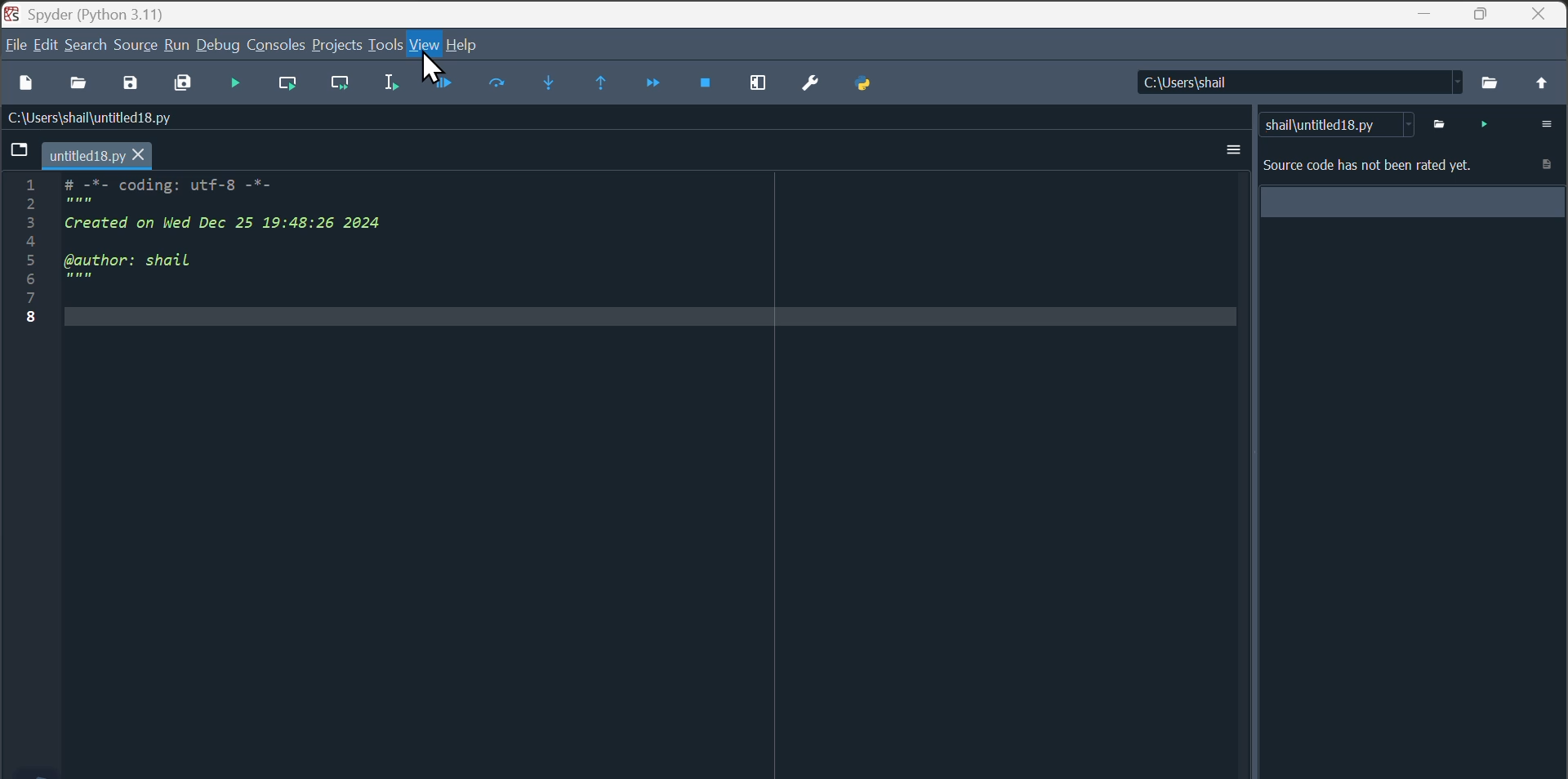  What do you see at coordinates (1232, 149) in the screenshot?
I see `more options` at bounding box center [1232, 149].